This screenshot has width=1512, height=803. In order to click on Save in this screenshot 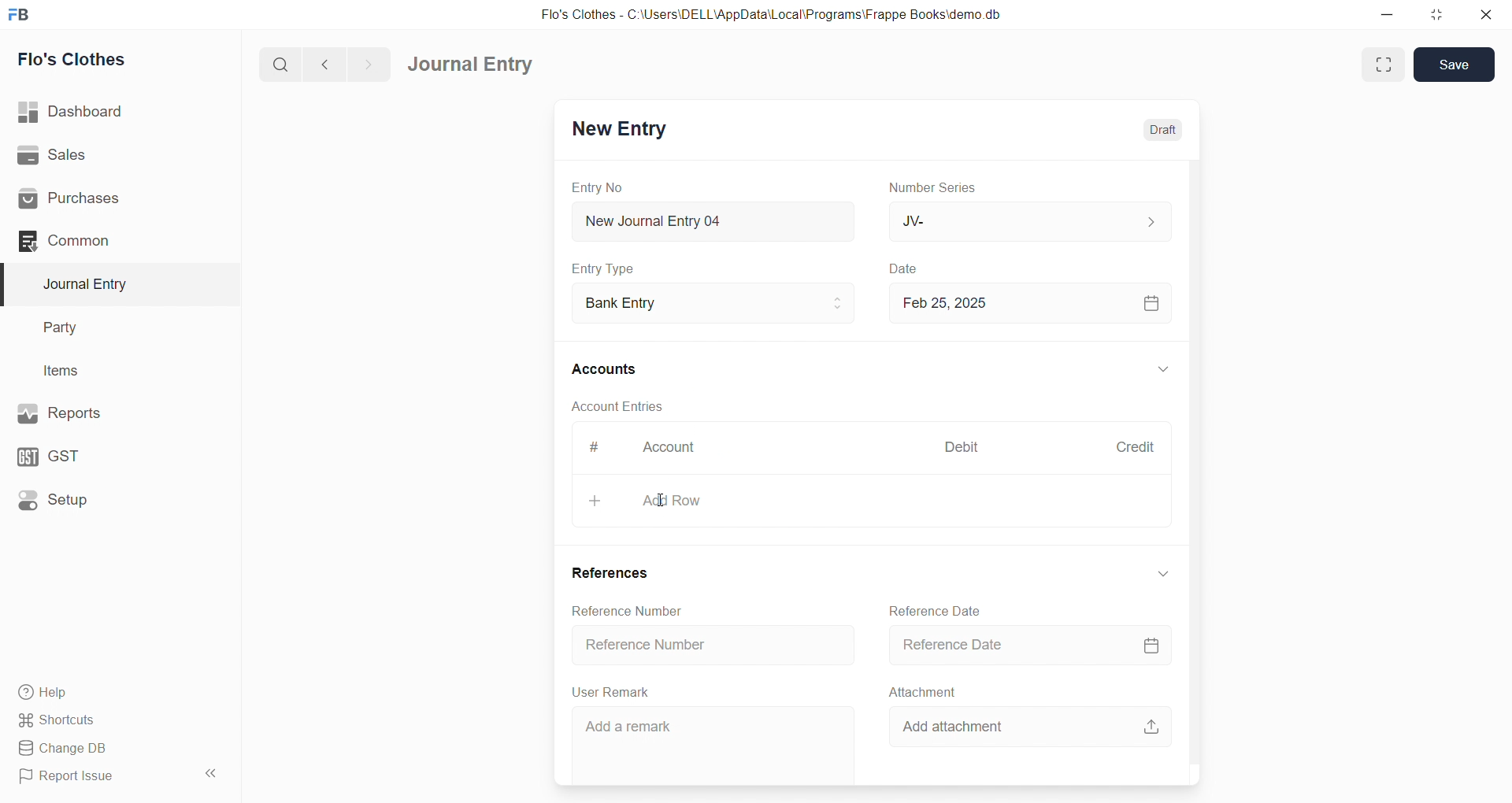, I will do `click(1456, 65)`.